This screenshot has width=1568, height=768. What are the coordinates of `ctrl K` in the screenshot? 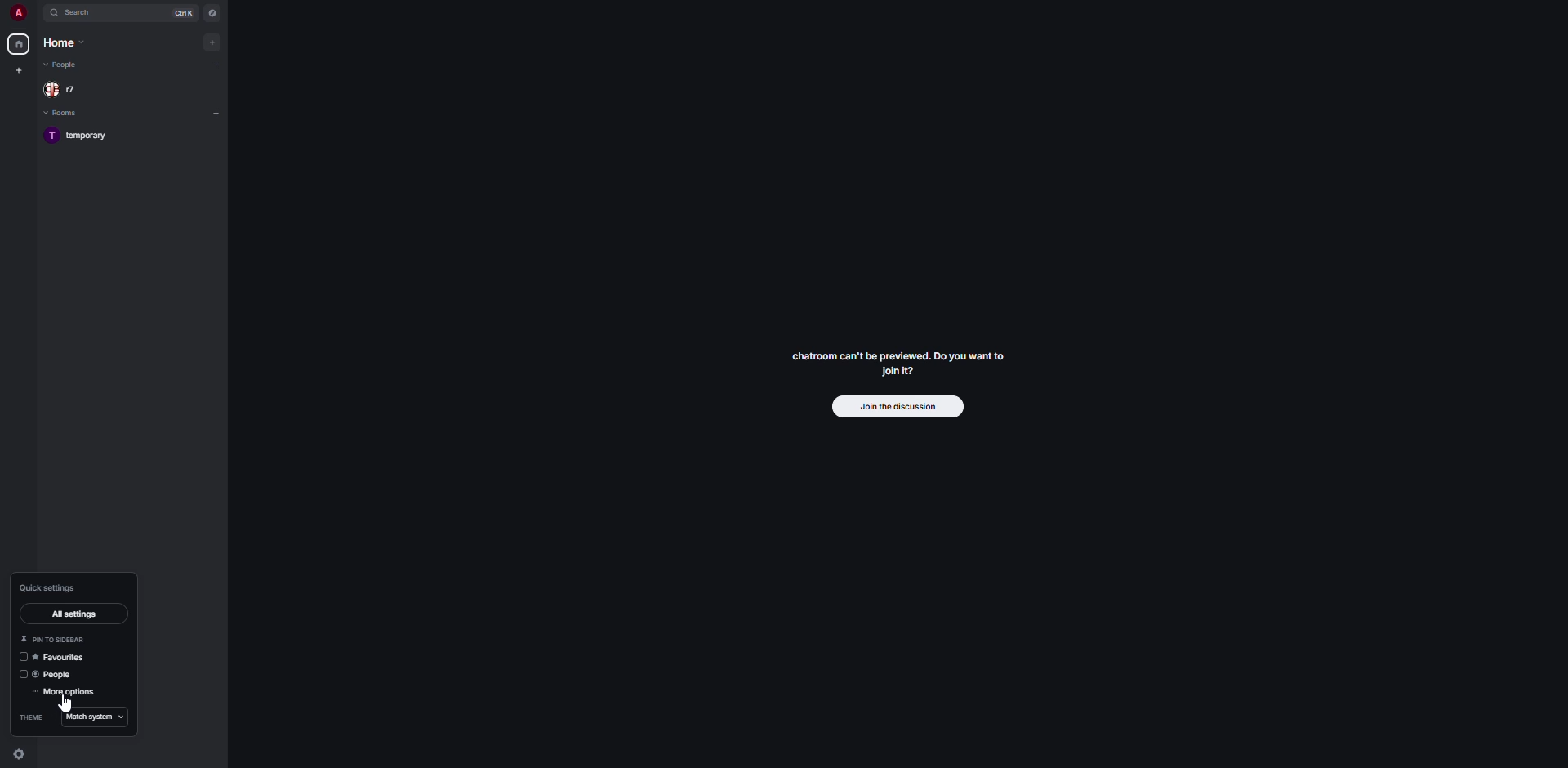 It's located at (185, 11).